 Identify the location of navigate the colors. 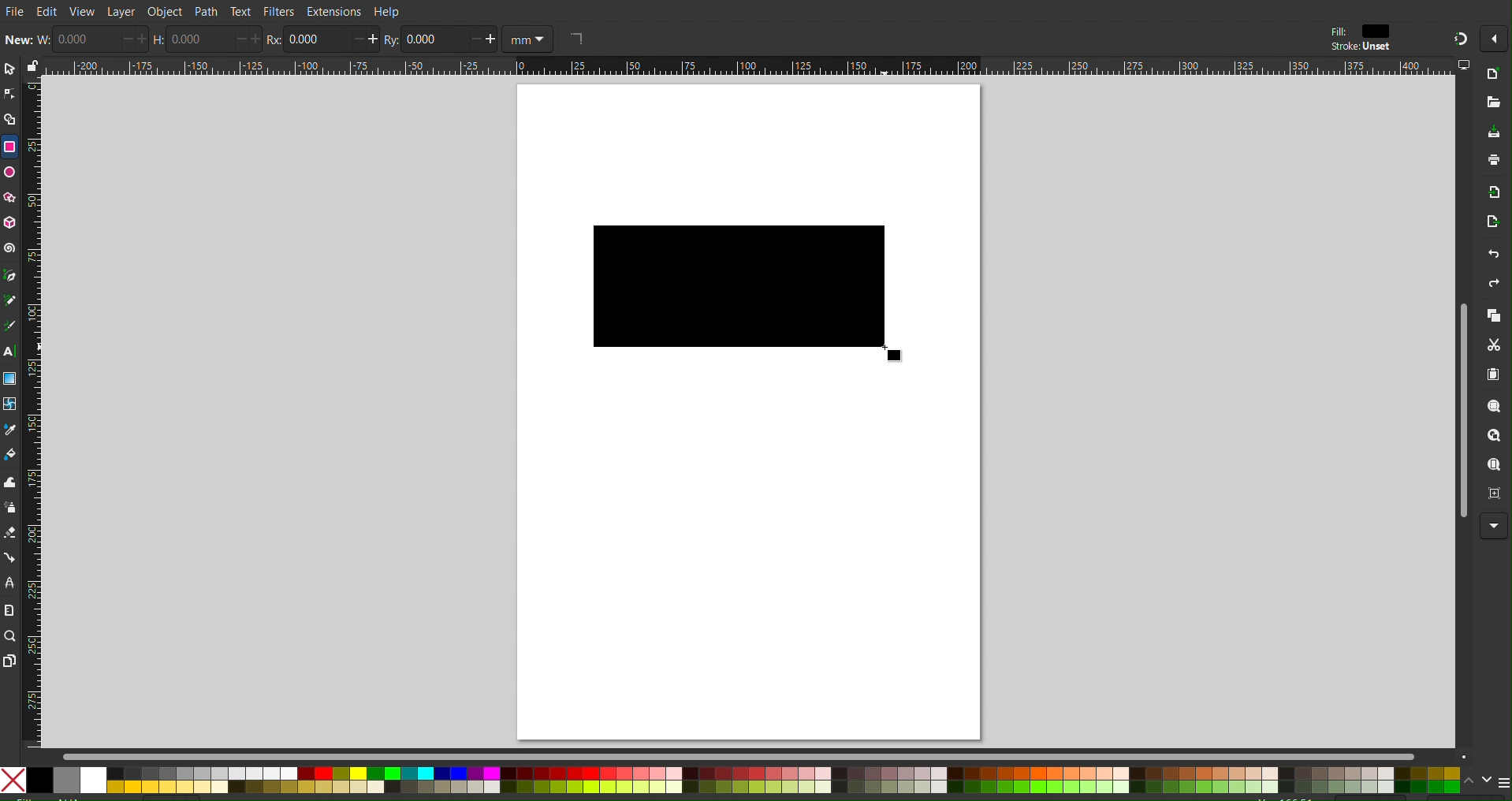
(1477, 781).